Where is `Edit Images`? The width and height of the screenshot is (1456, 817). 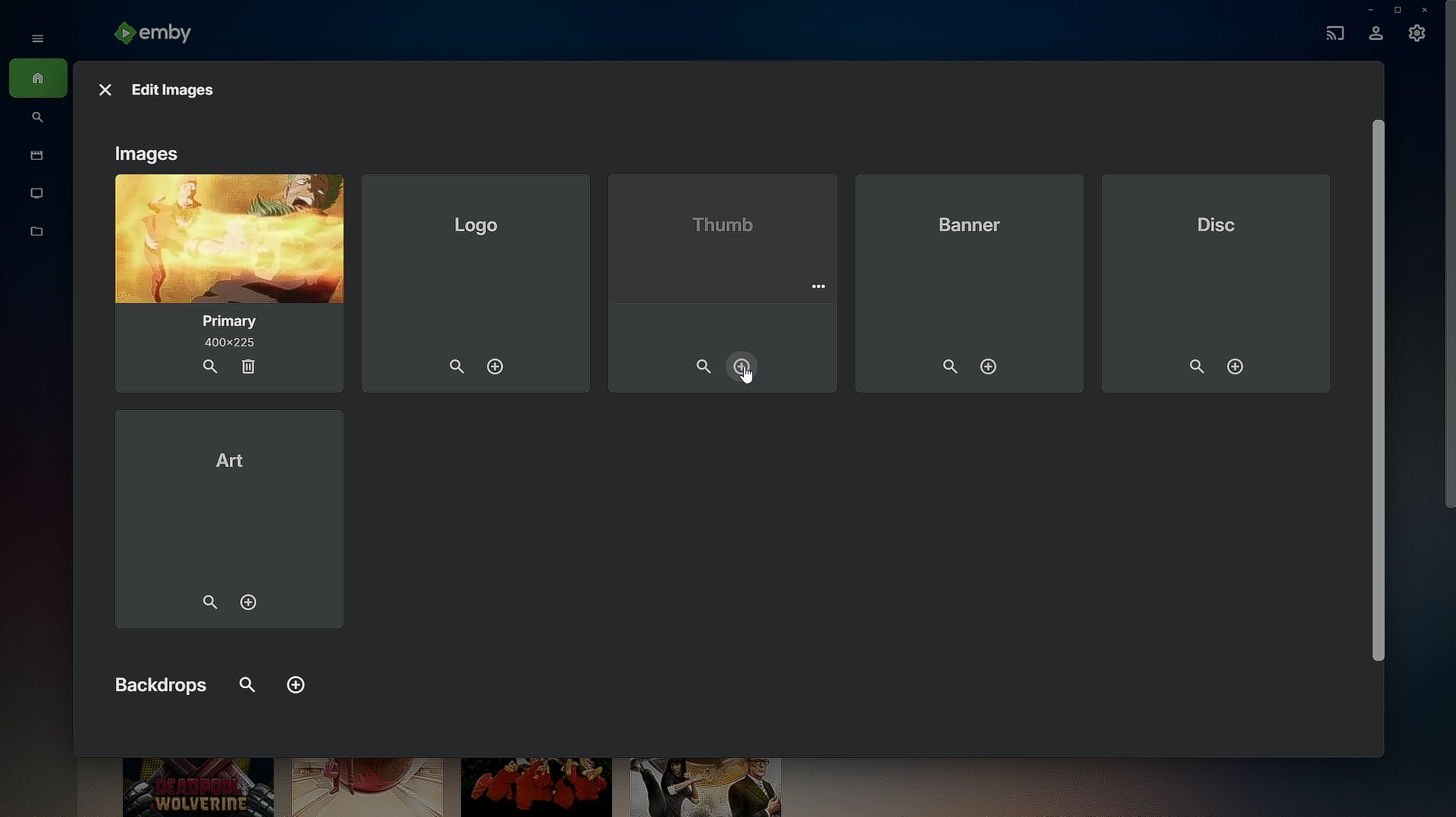 Edit Images is located at coordinates (175, 91).